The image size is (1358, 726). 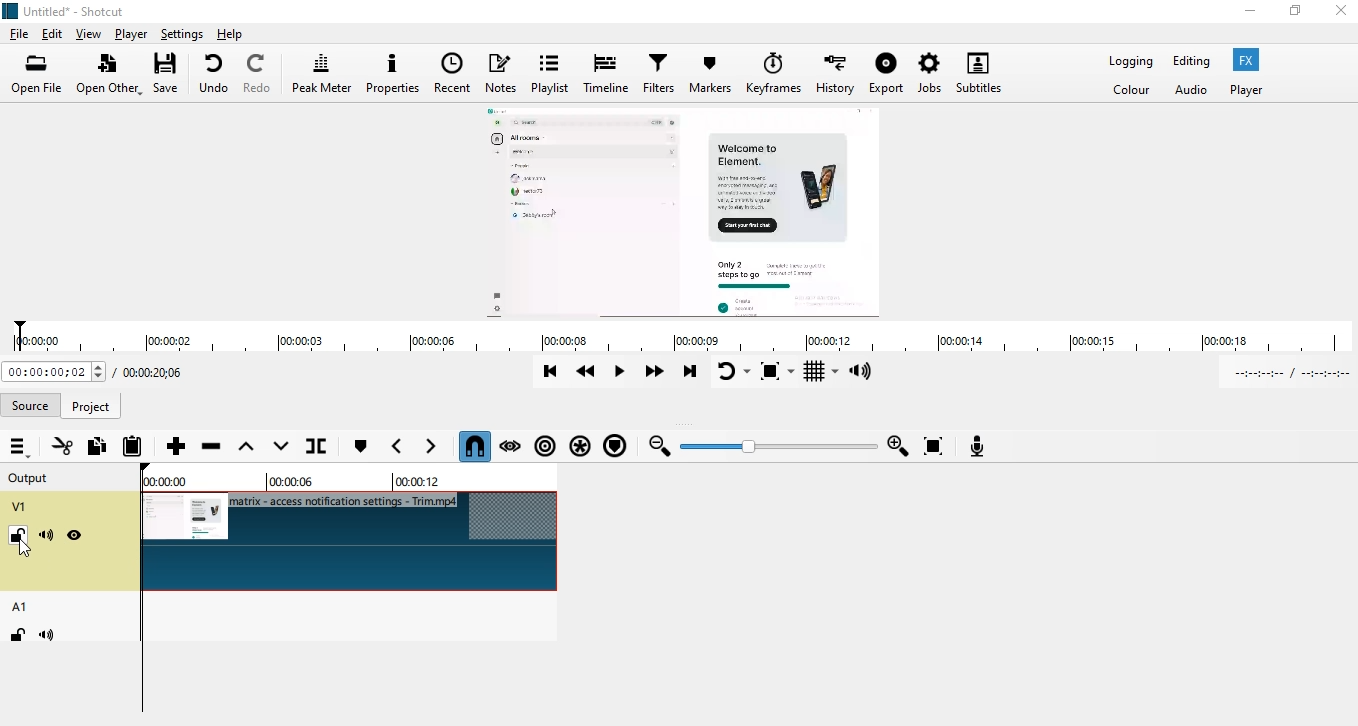 I want to click on Toggle zoom, so click(x=778, y=372).